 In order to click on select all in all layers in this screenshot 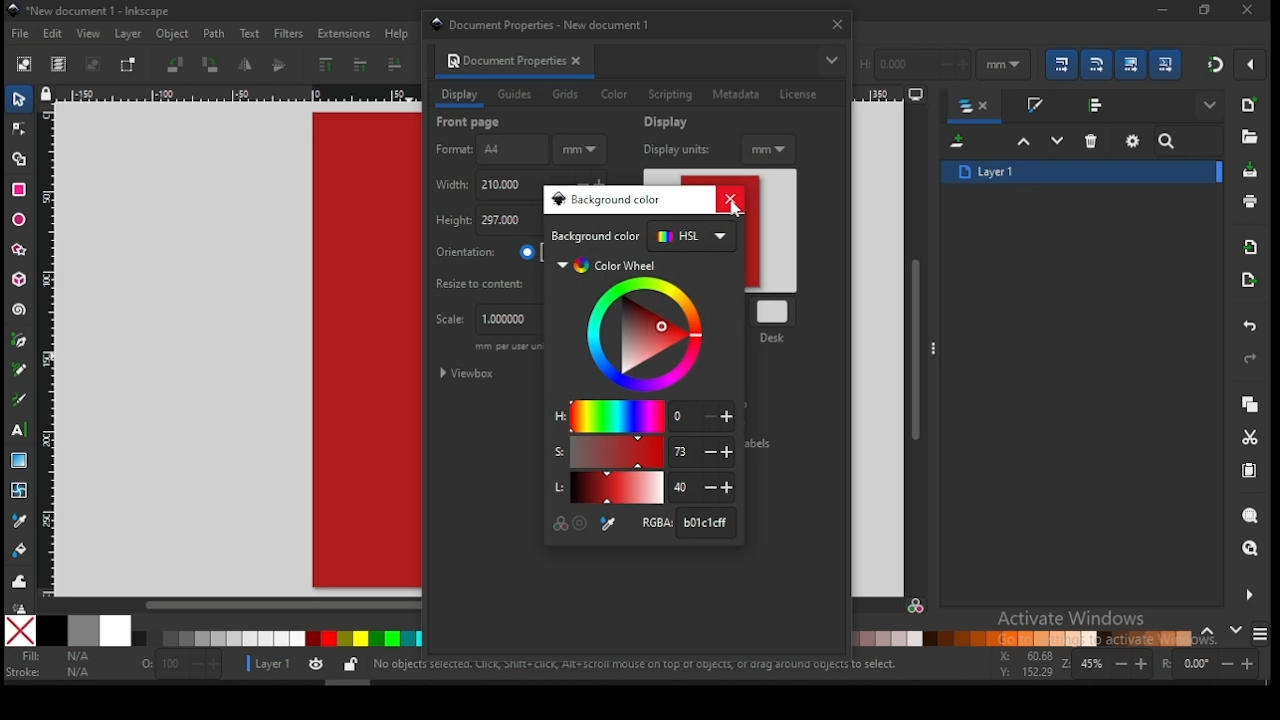, I will do `click(59, 65)`.